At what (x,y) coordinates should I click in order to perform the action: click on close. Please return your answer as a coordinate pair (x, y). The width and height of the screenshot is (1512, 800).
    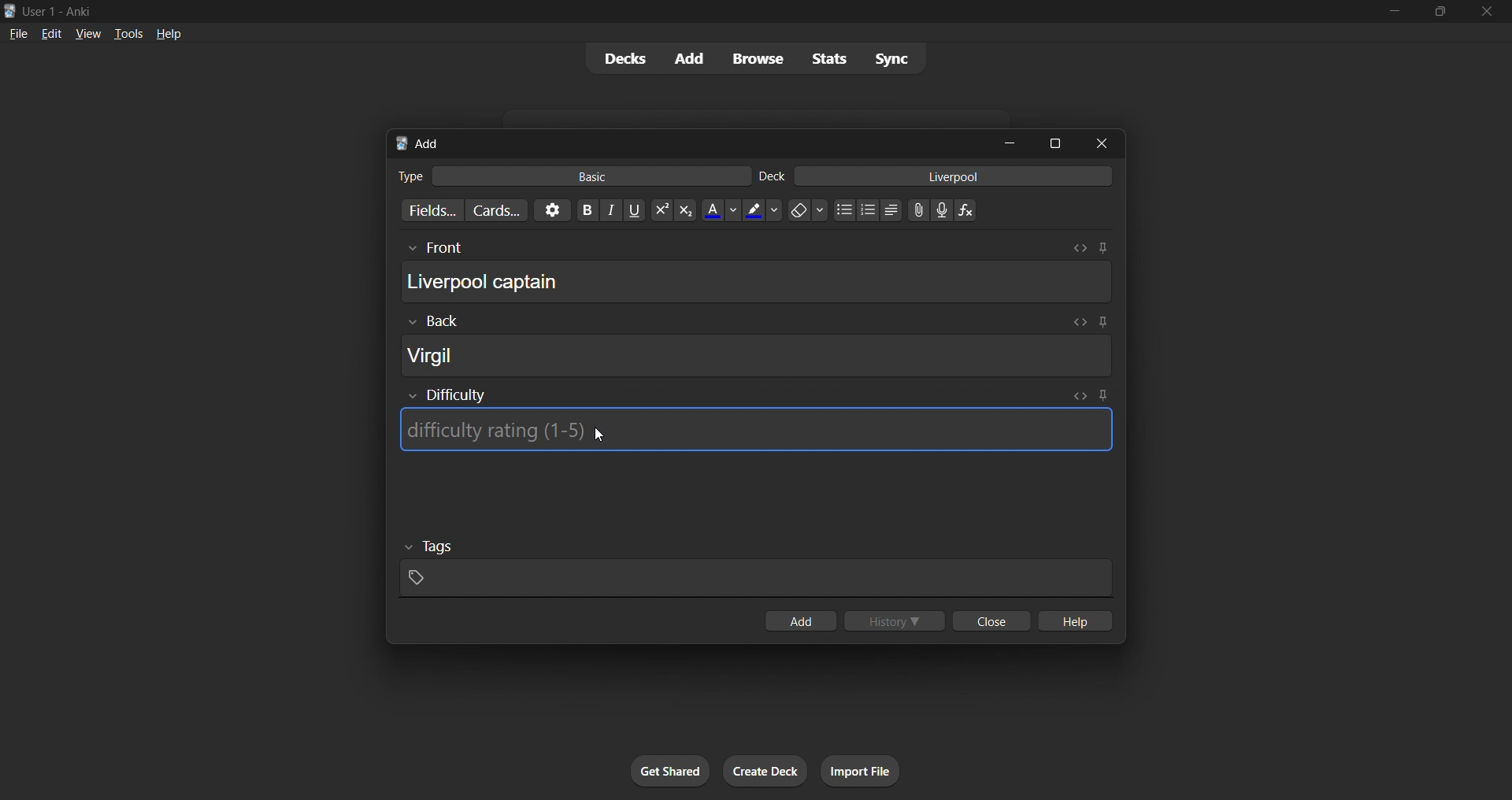
    Looking at the image, I should click on (1487, 12).